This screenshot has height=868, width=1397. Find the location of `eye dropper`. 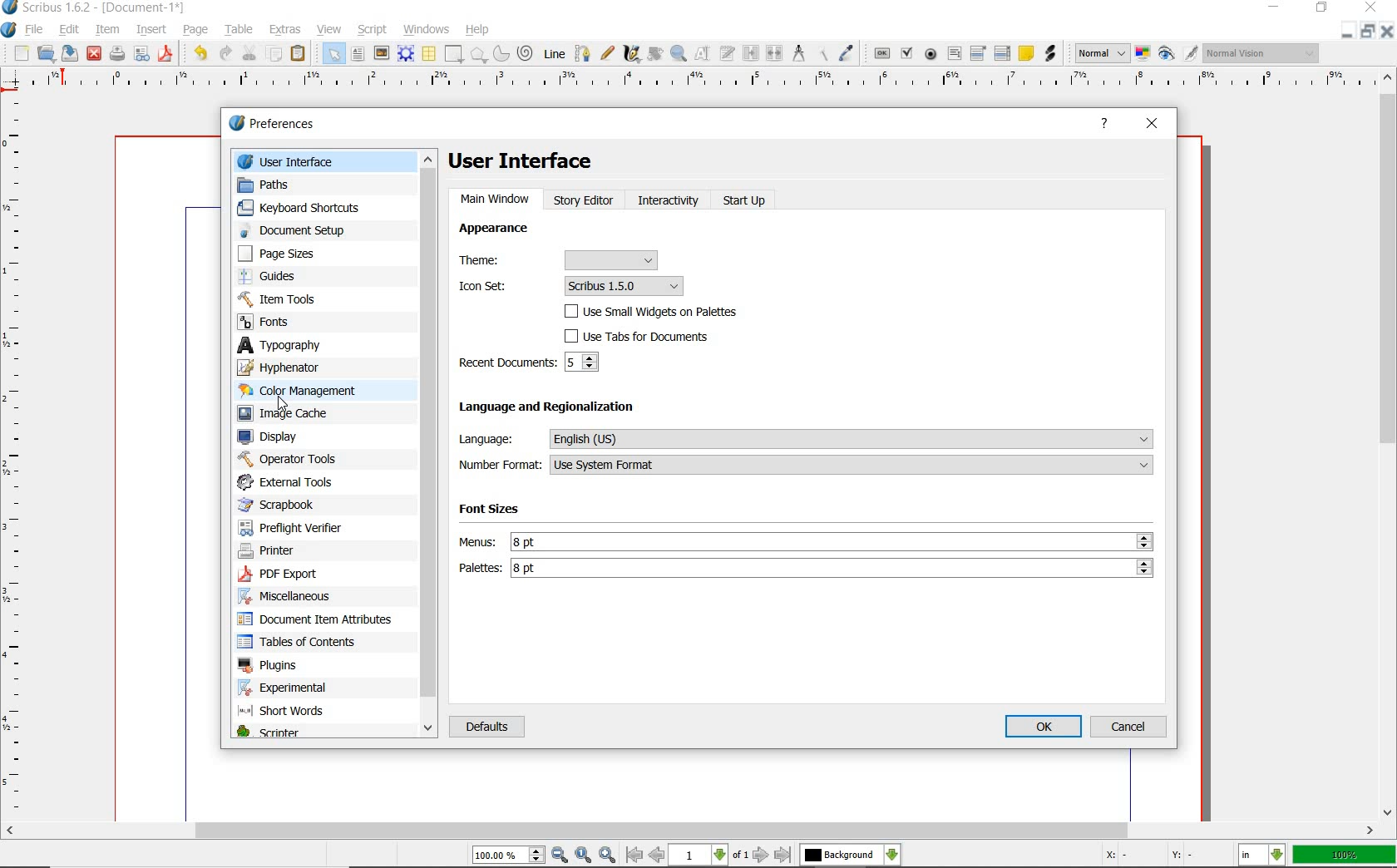

eye dropper is located at coordinates (848, 52).